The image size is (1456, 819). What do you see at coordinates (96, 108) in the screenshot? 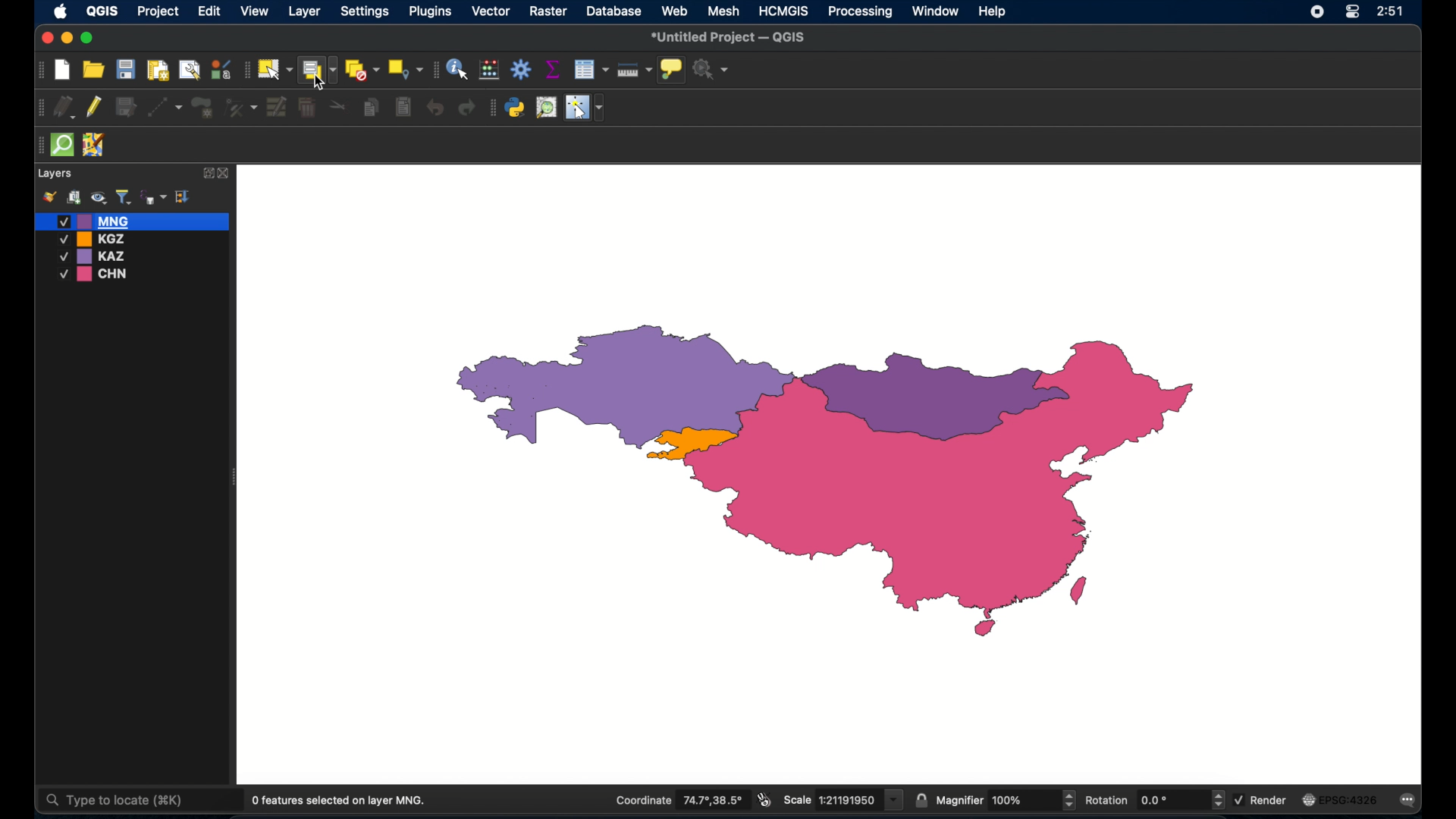
I see `toggle editing` at bounding box center [96, 108].